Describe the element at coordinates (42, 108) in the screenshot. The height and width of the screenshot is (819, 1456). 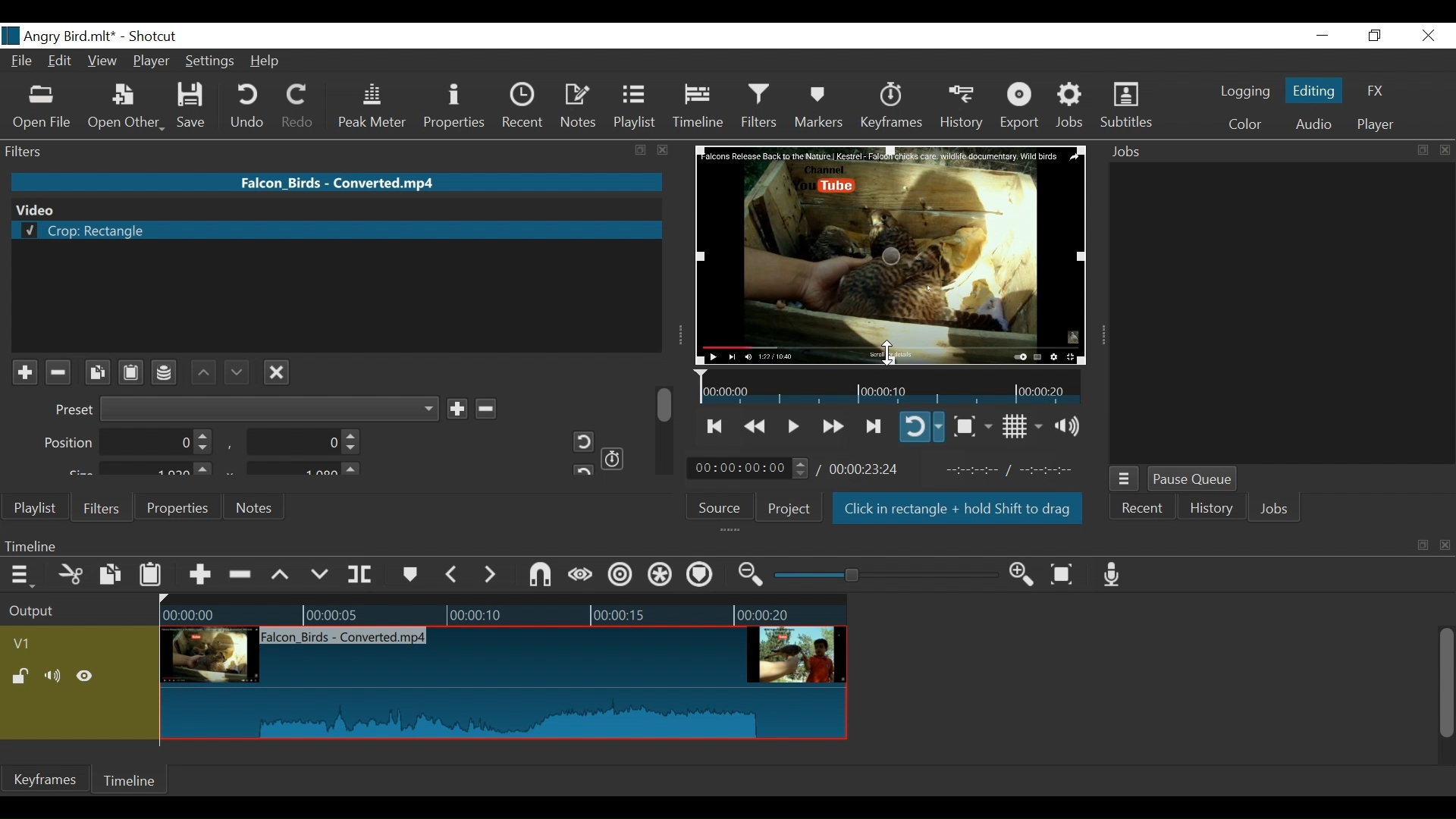
I see `Open File` at that location.